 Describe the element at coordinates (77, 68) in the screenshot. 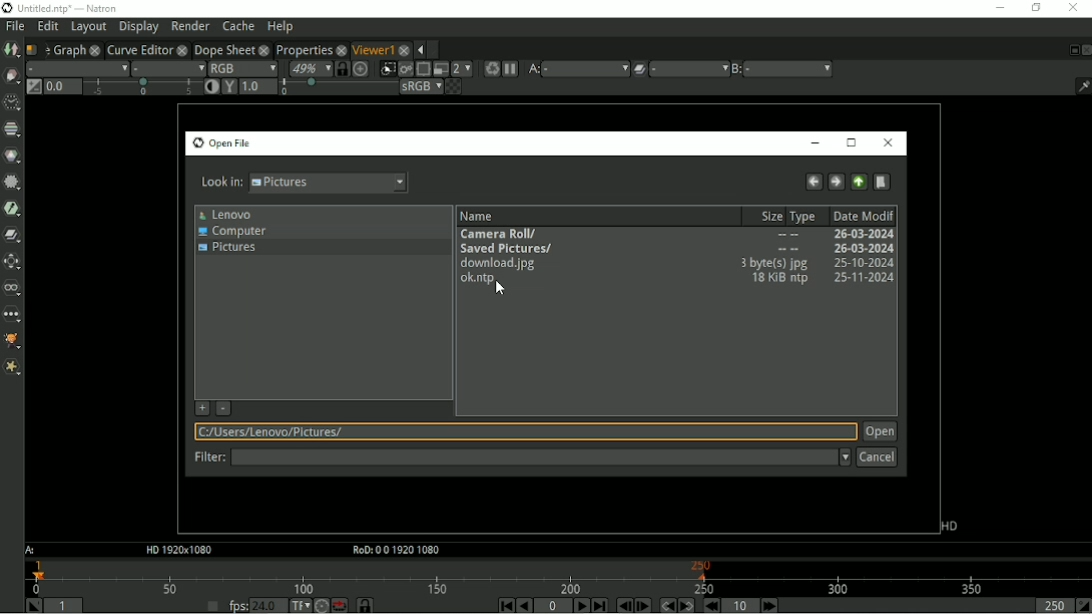

I see `Layer` at that location.